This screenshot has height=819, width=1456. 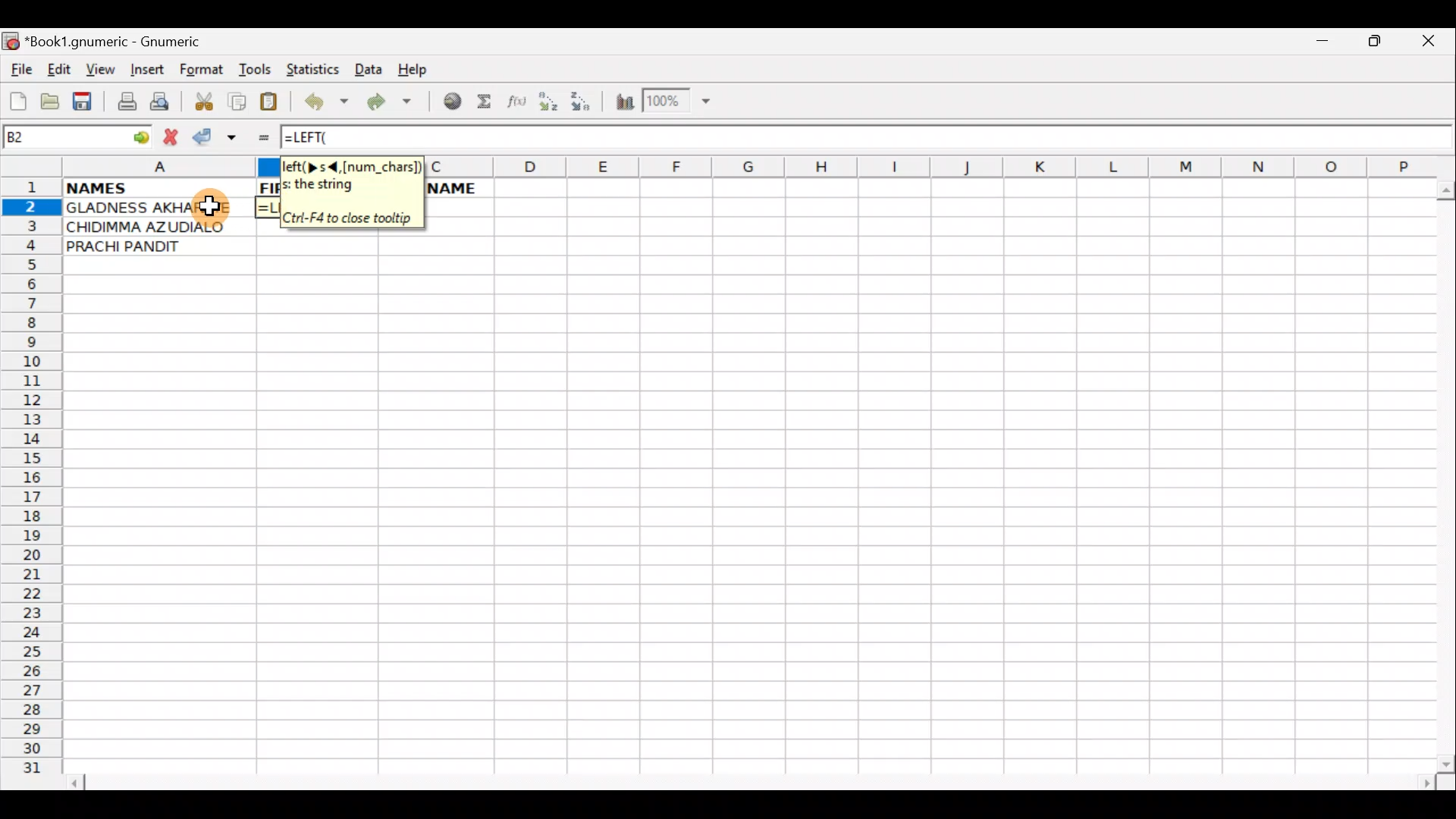 I want to click on PRACHI PANDIT, so click(x=147, y=247).